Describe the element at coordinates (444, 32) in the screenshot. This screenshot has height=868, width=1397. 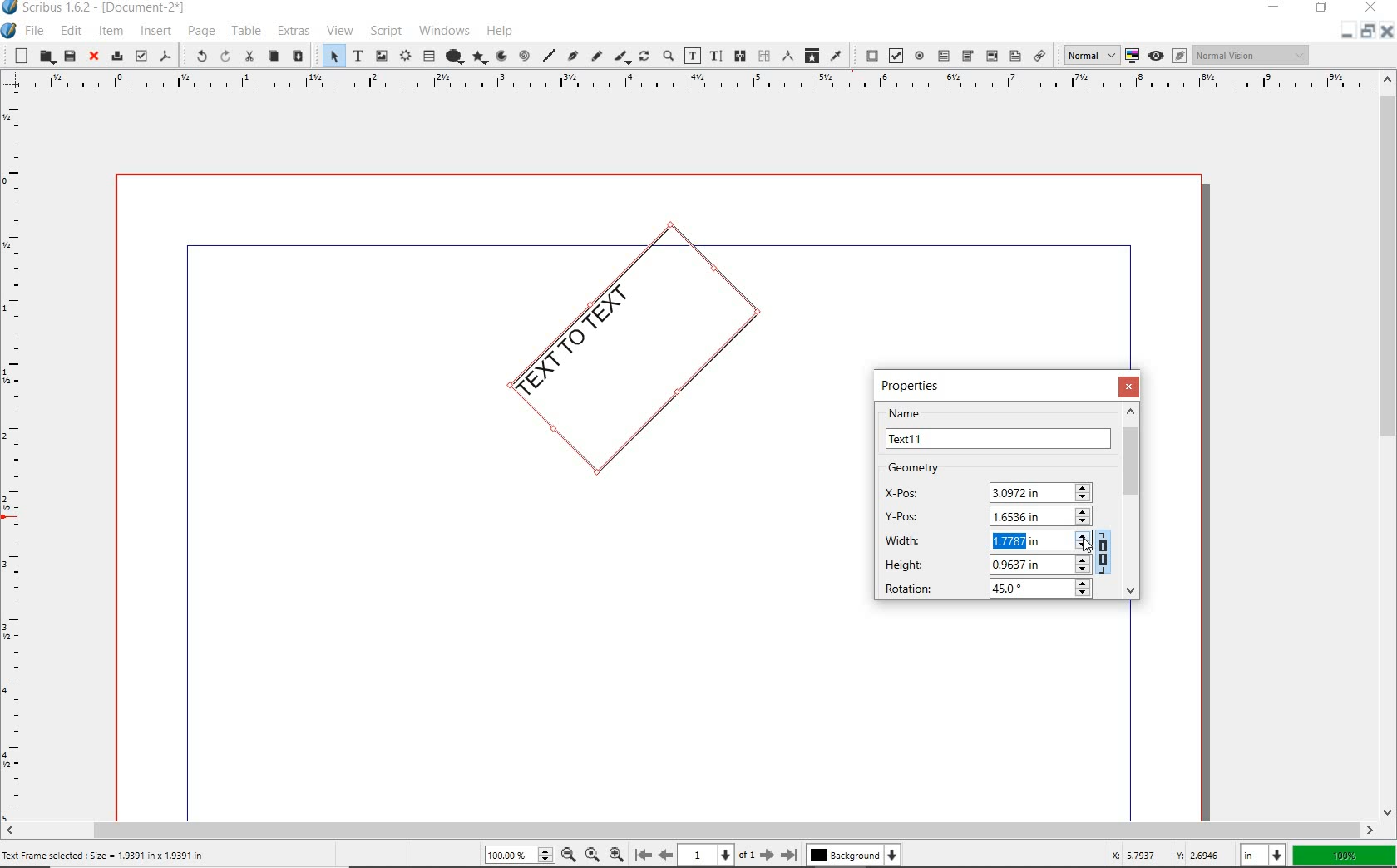
I see `windows` at that location.